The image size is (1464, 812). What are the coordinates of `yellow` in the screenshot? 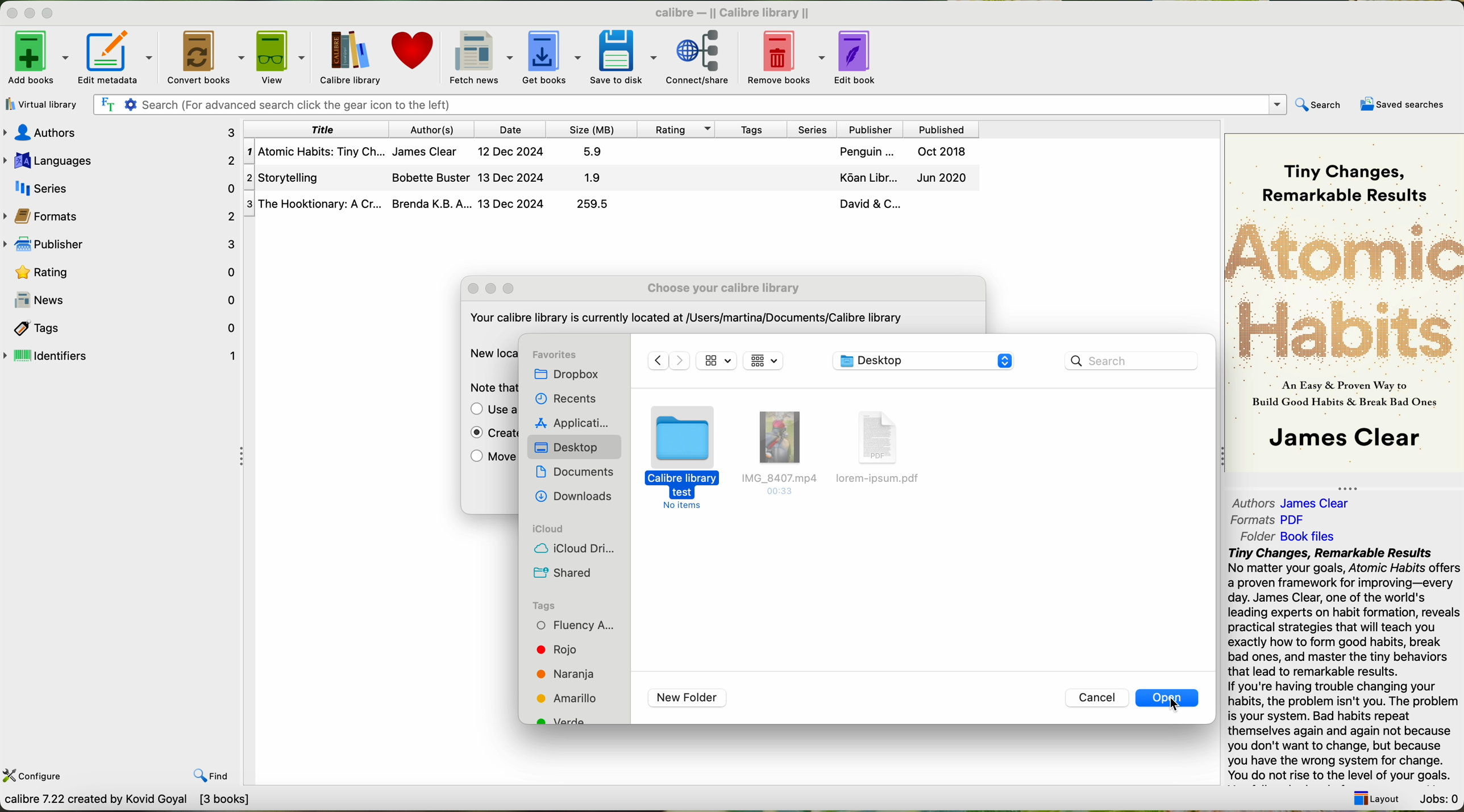 It's located at (568, 697).